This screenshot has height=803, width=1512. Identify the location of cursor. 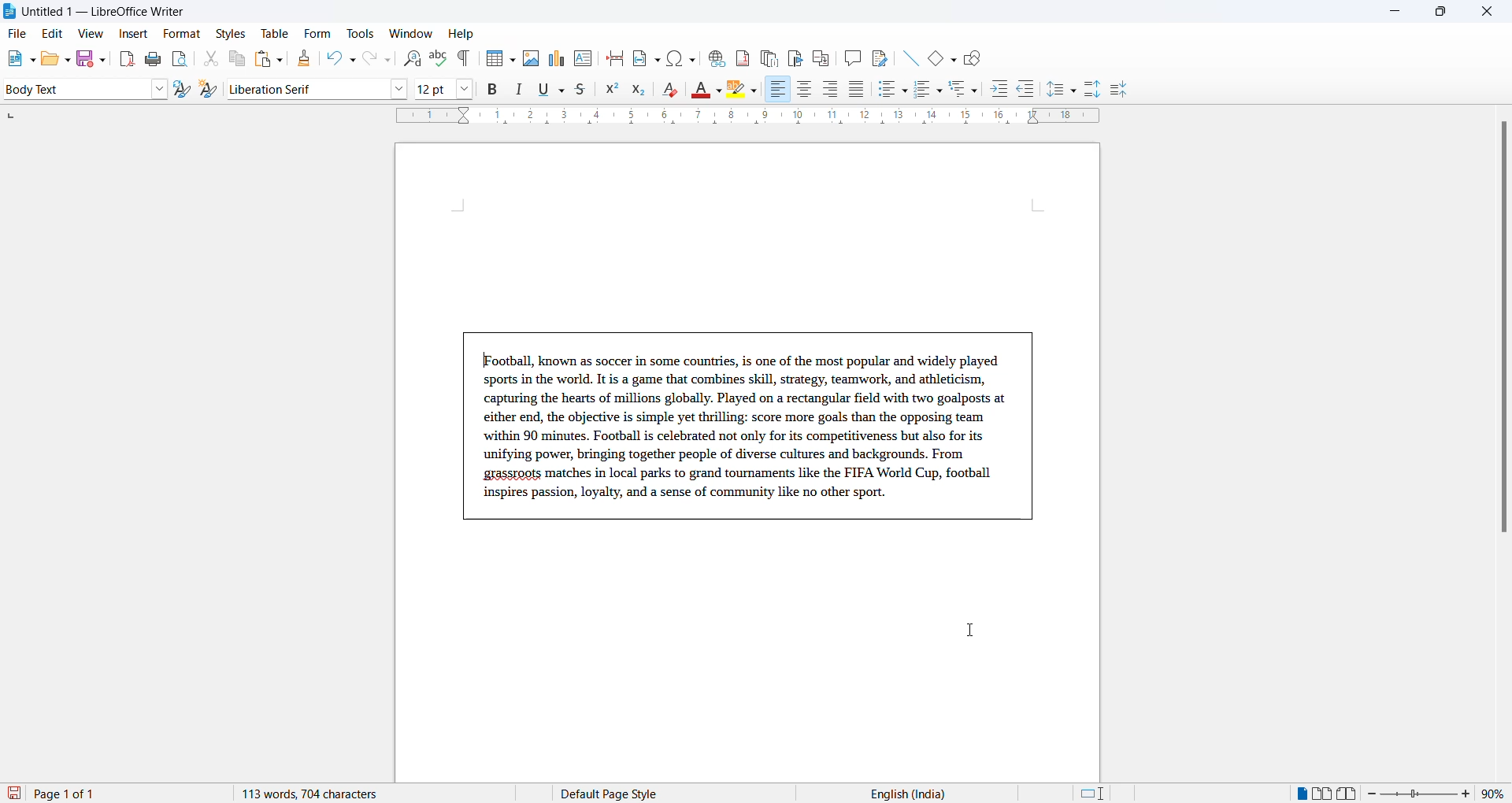
(976, 633).